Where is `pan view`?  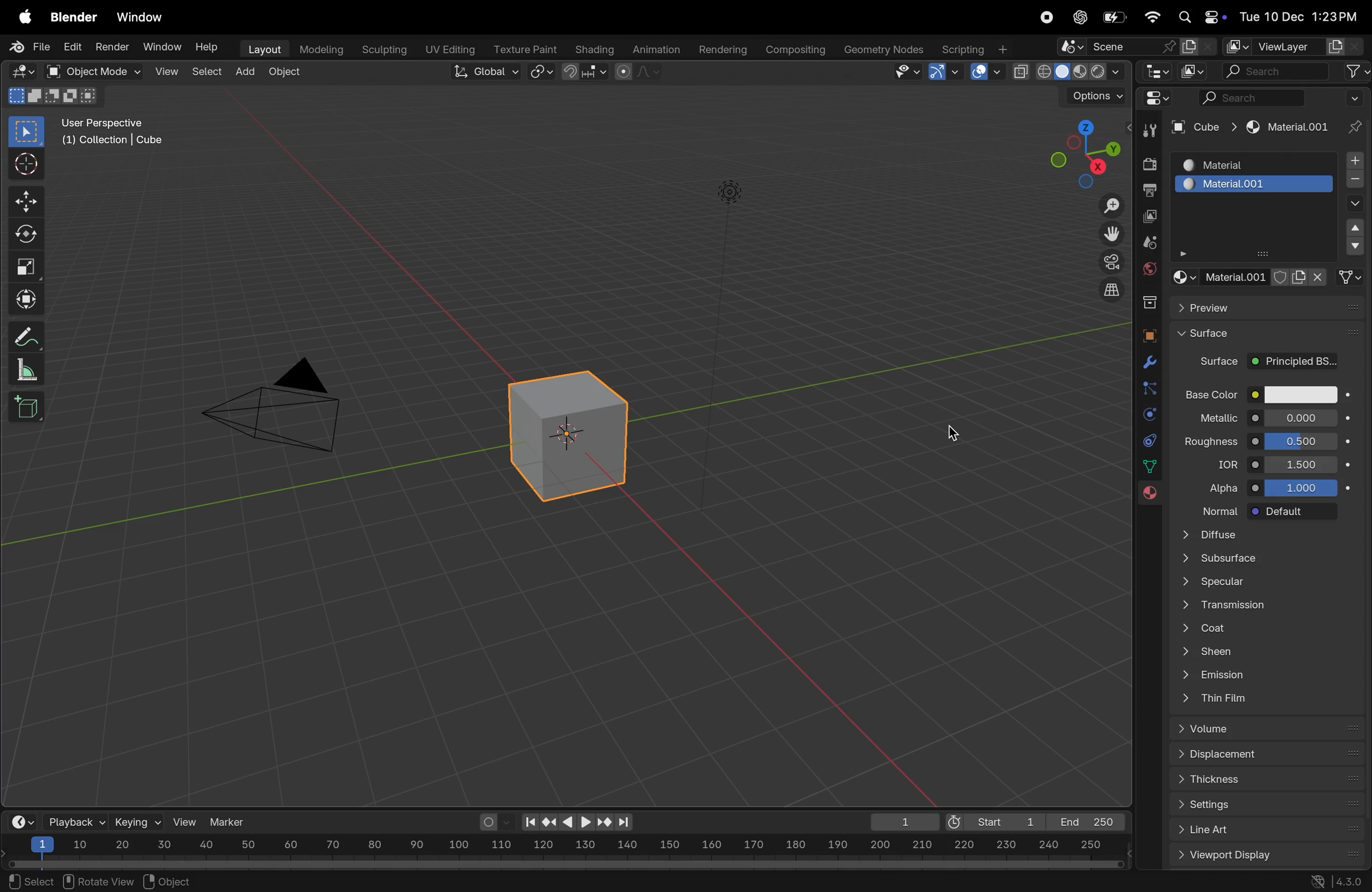
pan view is located at coordinates (152, 880).